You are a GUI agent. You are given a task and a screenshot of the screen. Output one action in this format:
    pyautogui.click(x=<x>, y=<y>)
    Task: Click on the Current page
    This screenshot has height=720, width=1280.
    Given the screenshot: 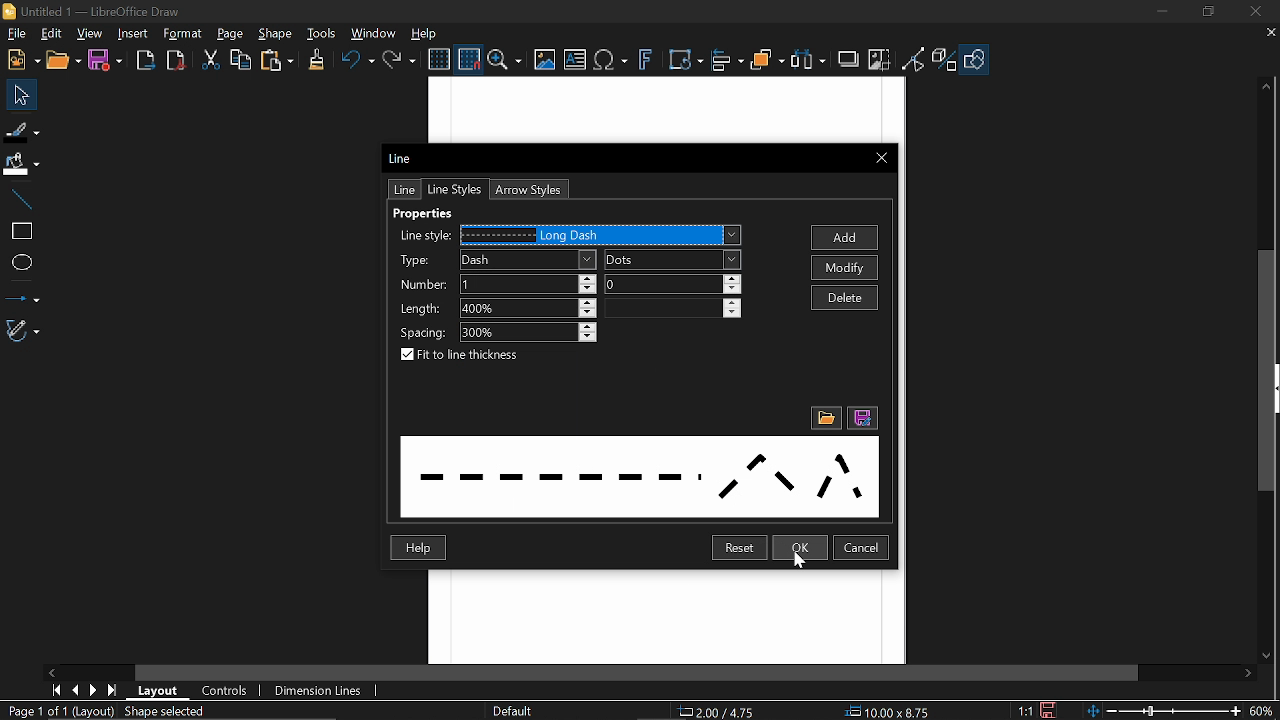 What is the action you would take?
    pyautogui.click(x=58, y=711)
    